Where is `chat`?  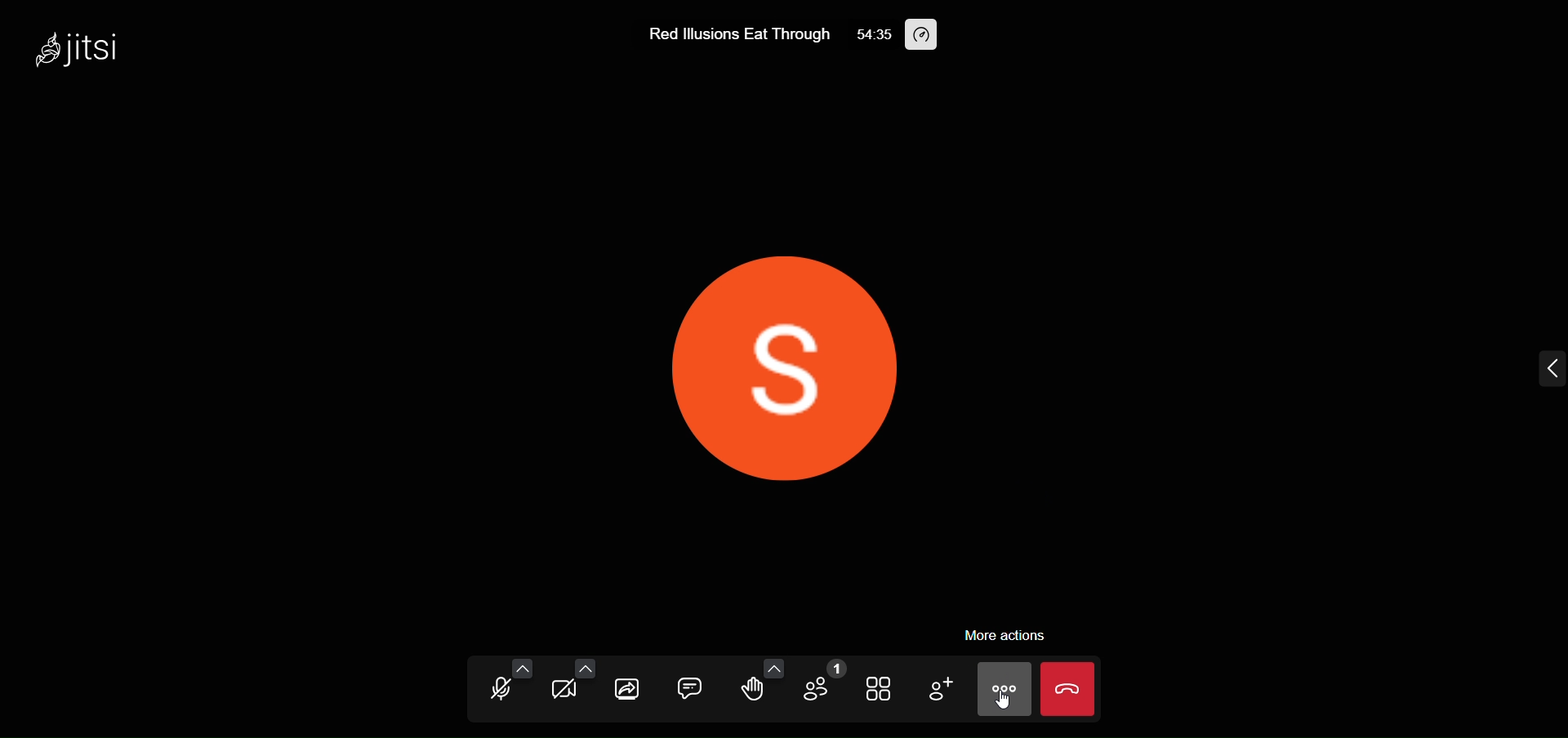 chat is located at coordinates (690, 684).